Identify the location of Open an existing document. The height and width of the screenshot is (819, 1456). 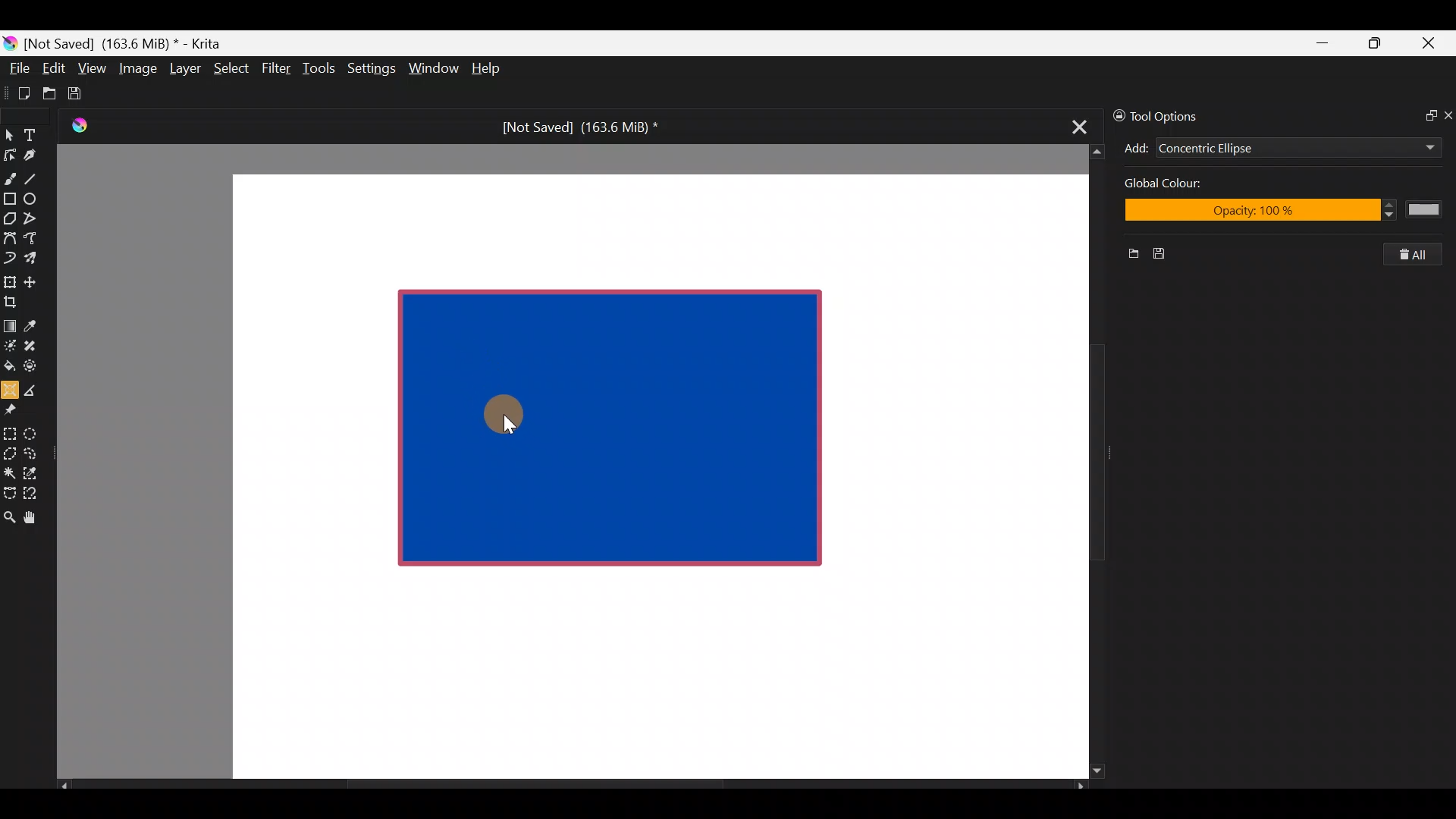
(50, 96).